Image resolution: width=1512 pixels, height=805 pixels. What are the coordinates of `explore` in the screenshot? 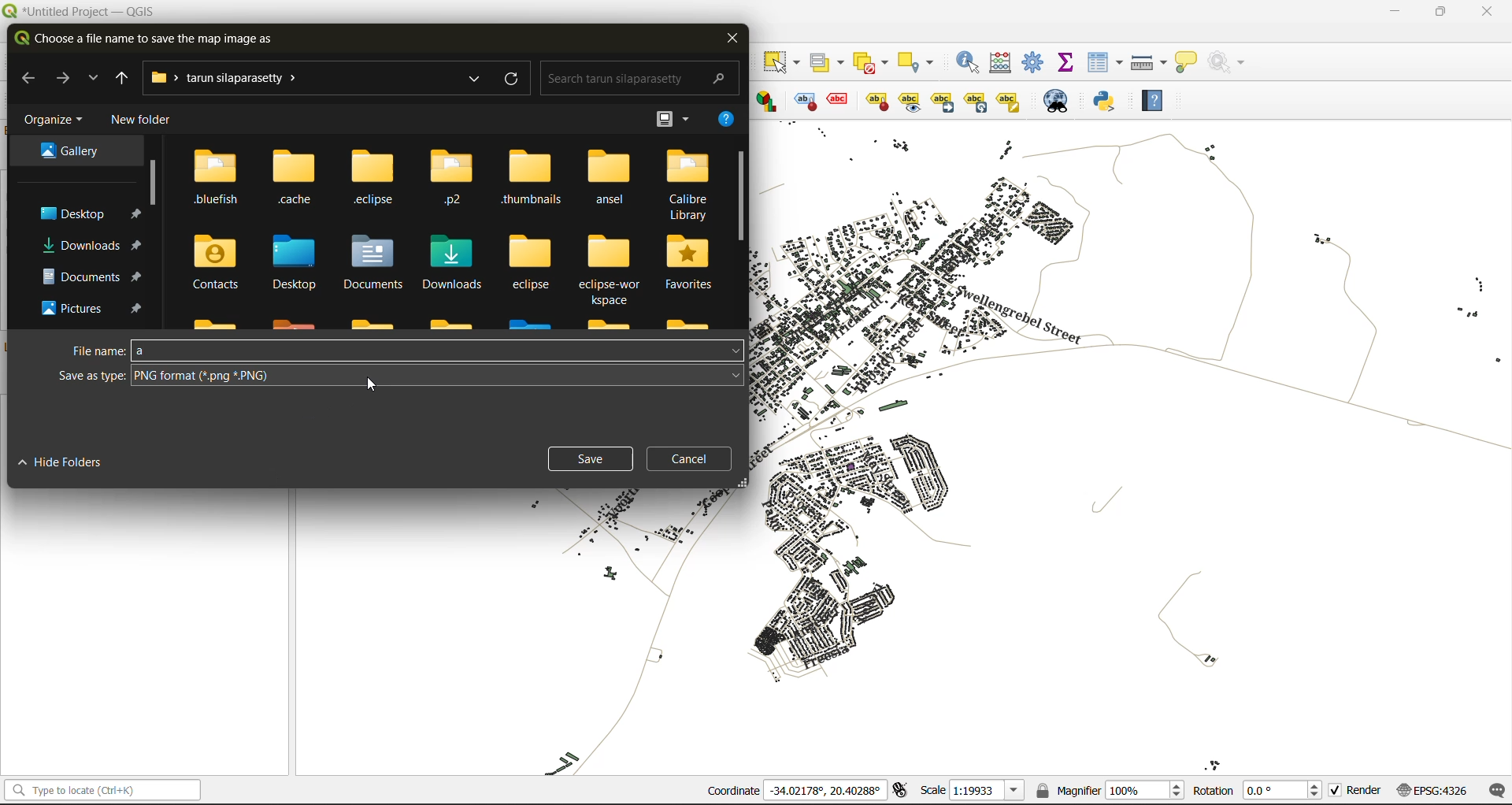 It's located at (472, 80).